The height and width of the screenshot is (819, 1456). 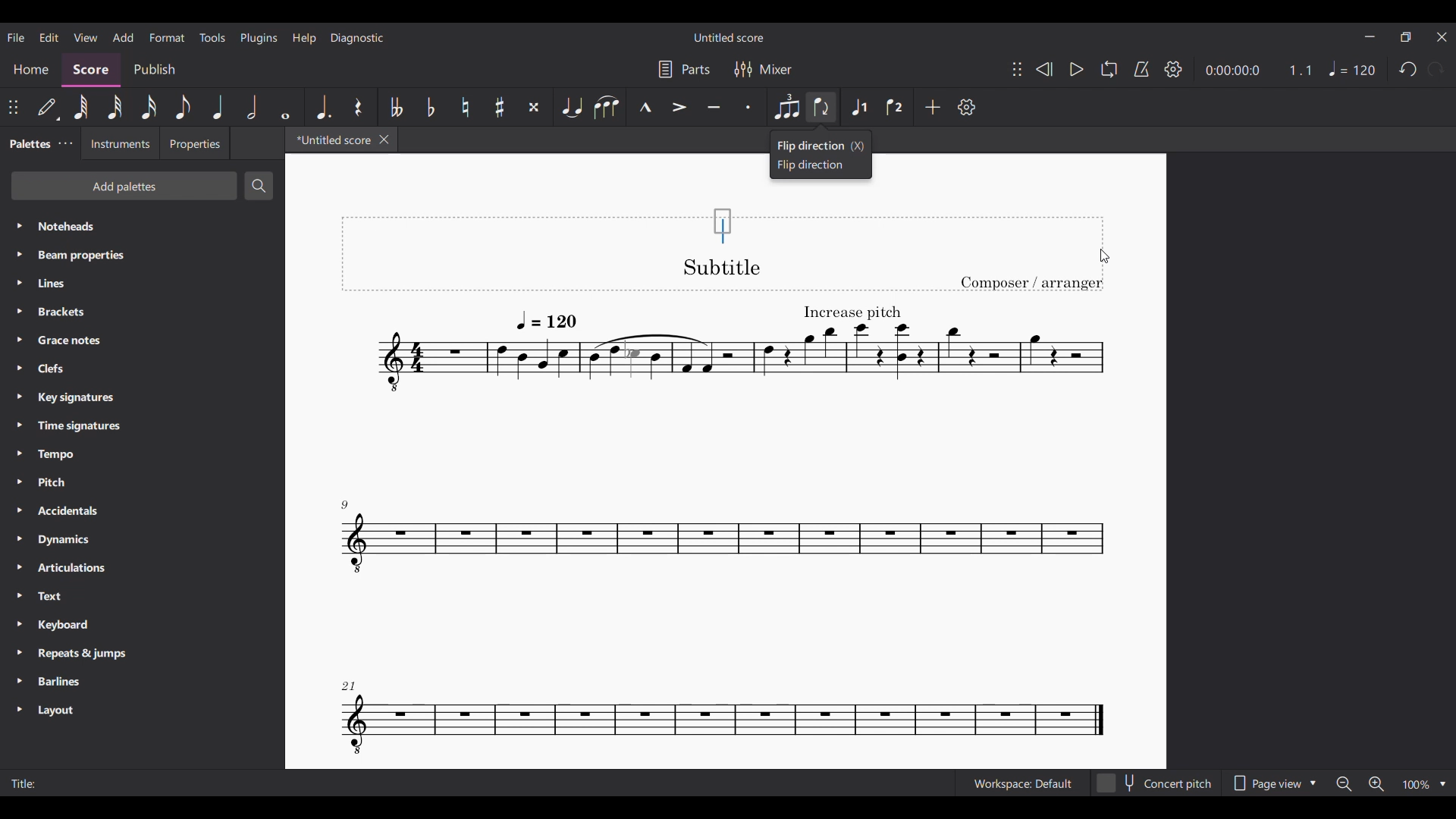 I want to click on Loop playback, so click(x=1109, y=69).